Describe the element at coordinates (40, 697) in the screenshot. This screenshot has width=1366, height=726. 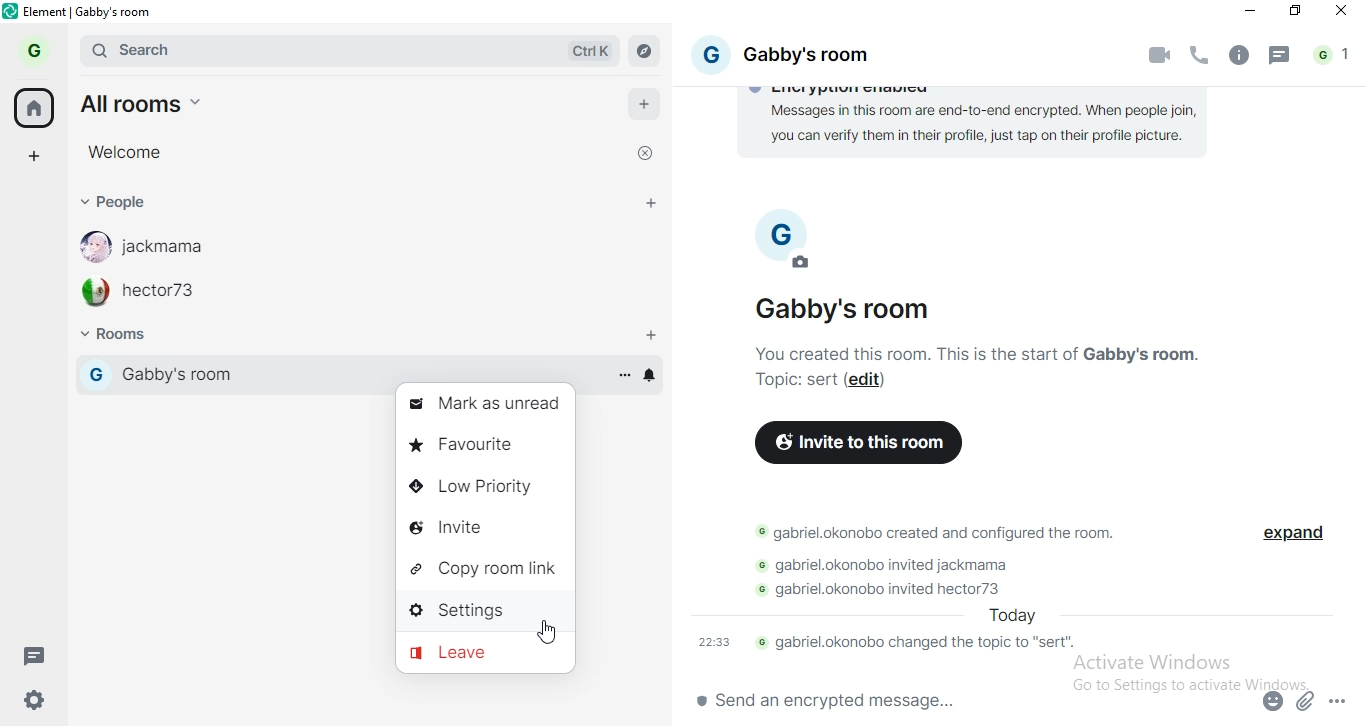
I see `settings` at that location.